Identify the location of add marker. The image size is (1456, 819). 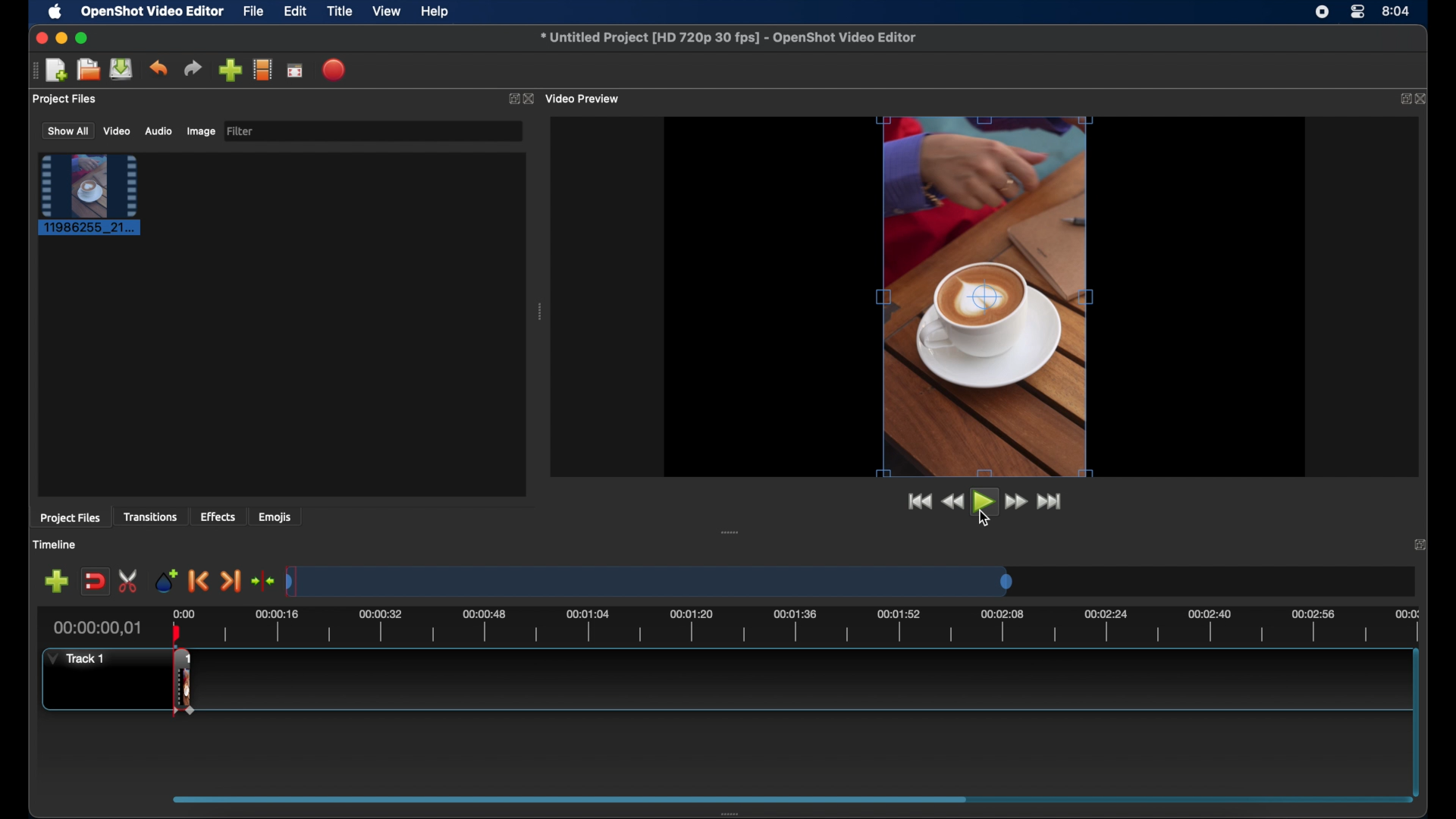
(167, 581).